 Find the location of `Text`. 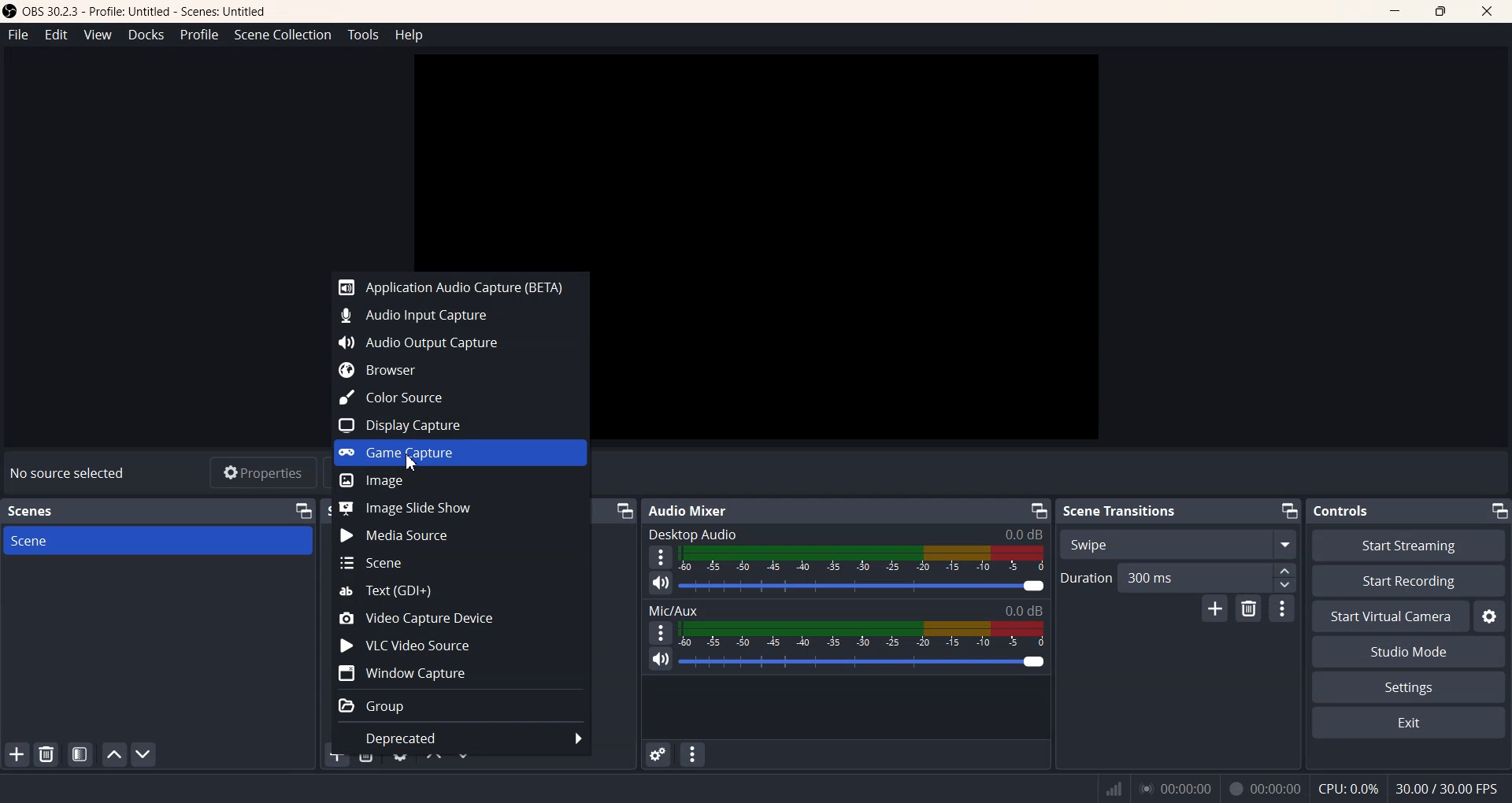

Text is located at coordinates (846, 533).